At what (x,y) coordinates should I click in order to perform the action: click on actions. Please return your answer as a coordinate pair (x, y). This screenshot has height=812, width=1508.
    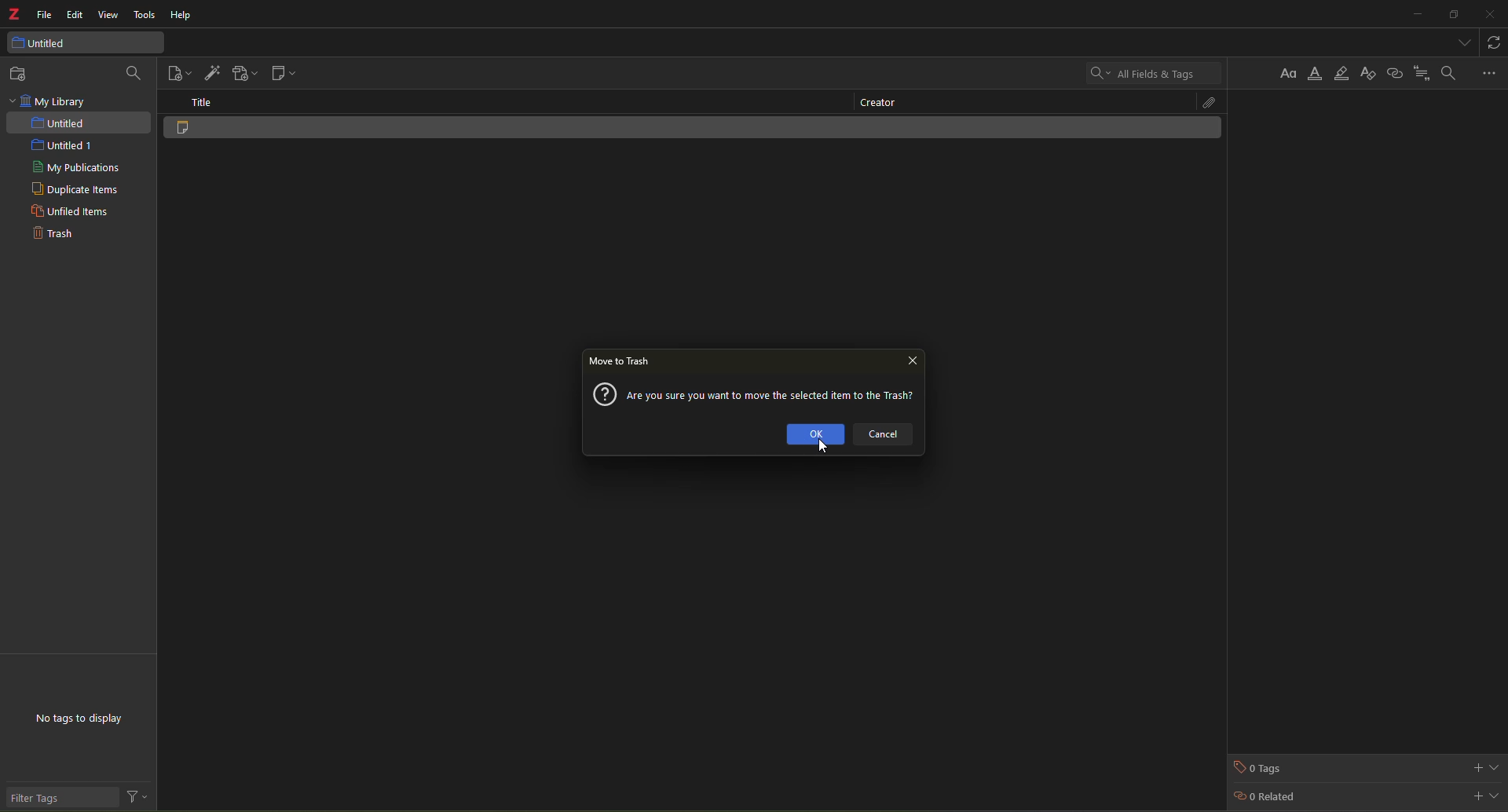
    Looking at the image, I should click on (137, 797).